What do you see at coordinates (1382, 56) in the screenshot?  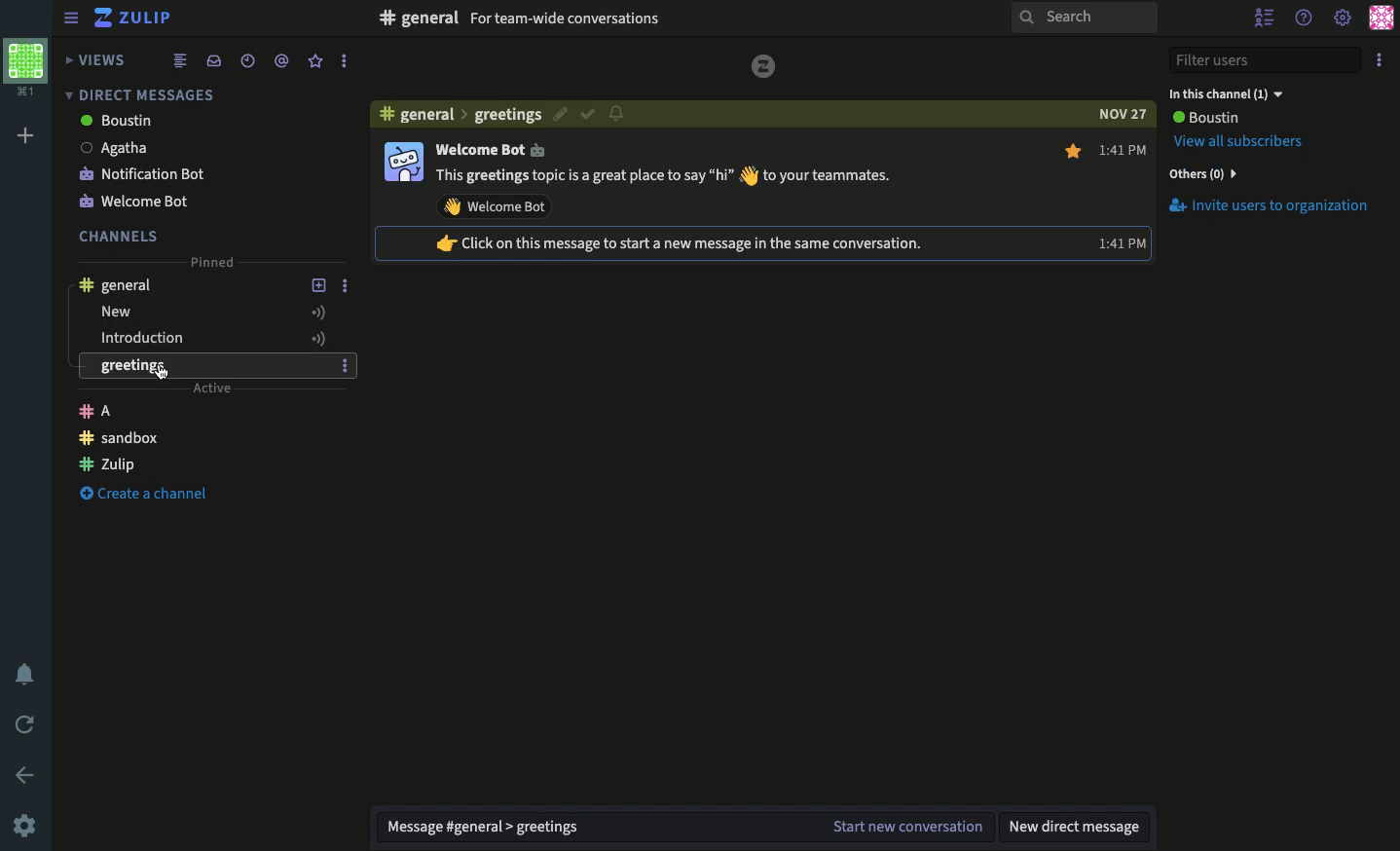 I see `Options ` at bounding box center [1382, 56].